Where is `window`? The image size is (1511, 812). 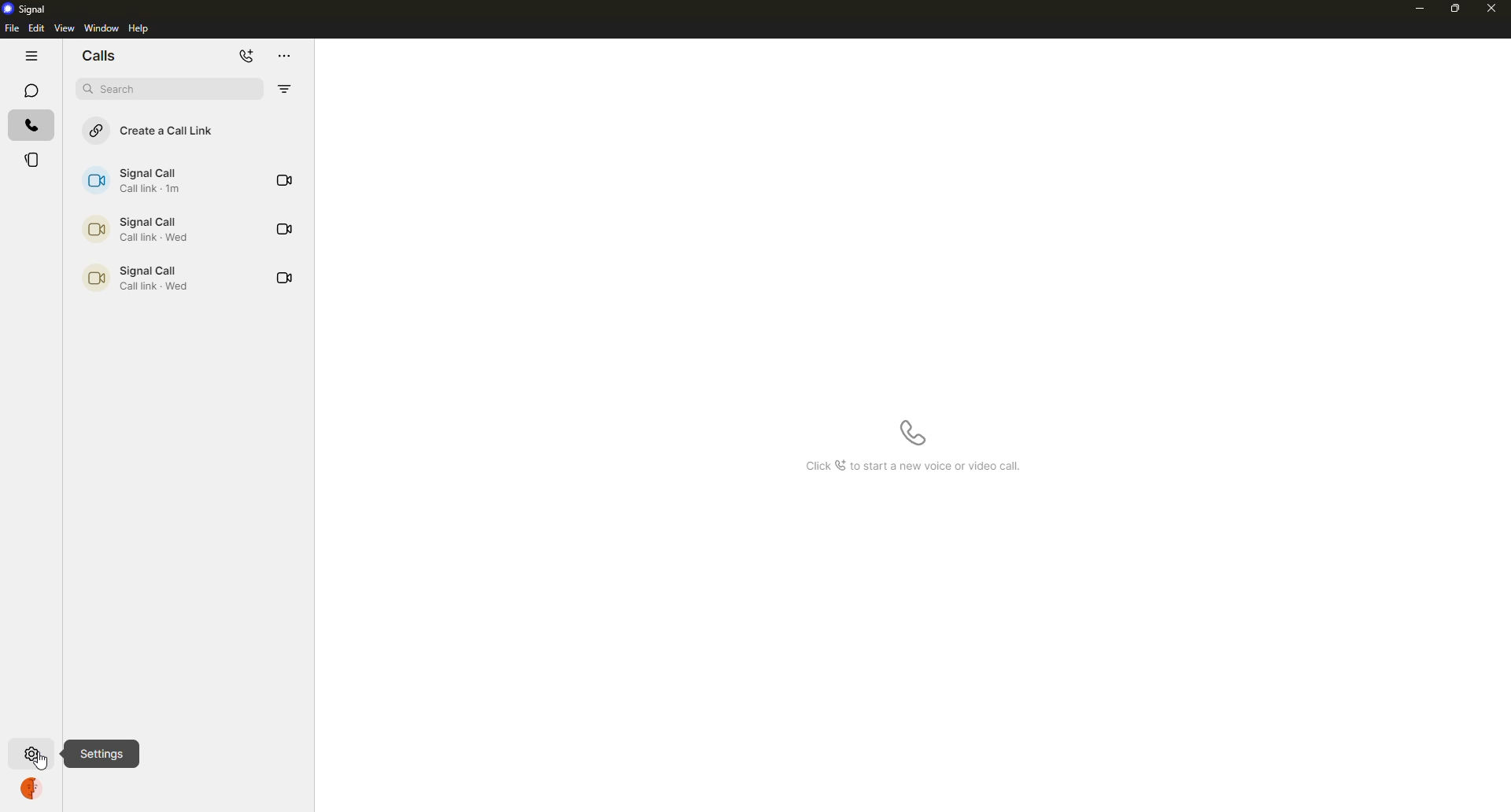 window is located at coordinates (102, 28).